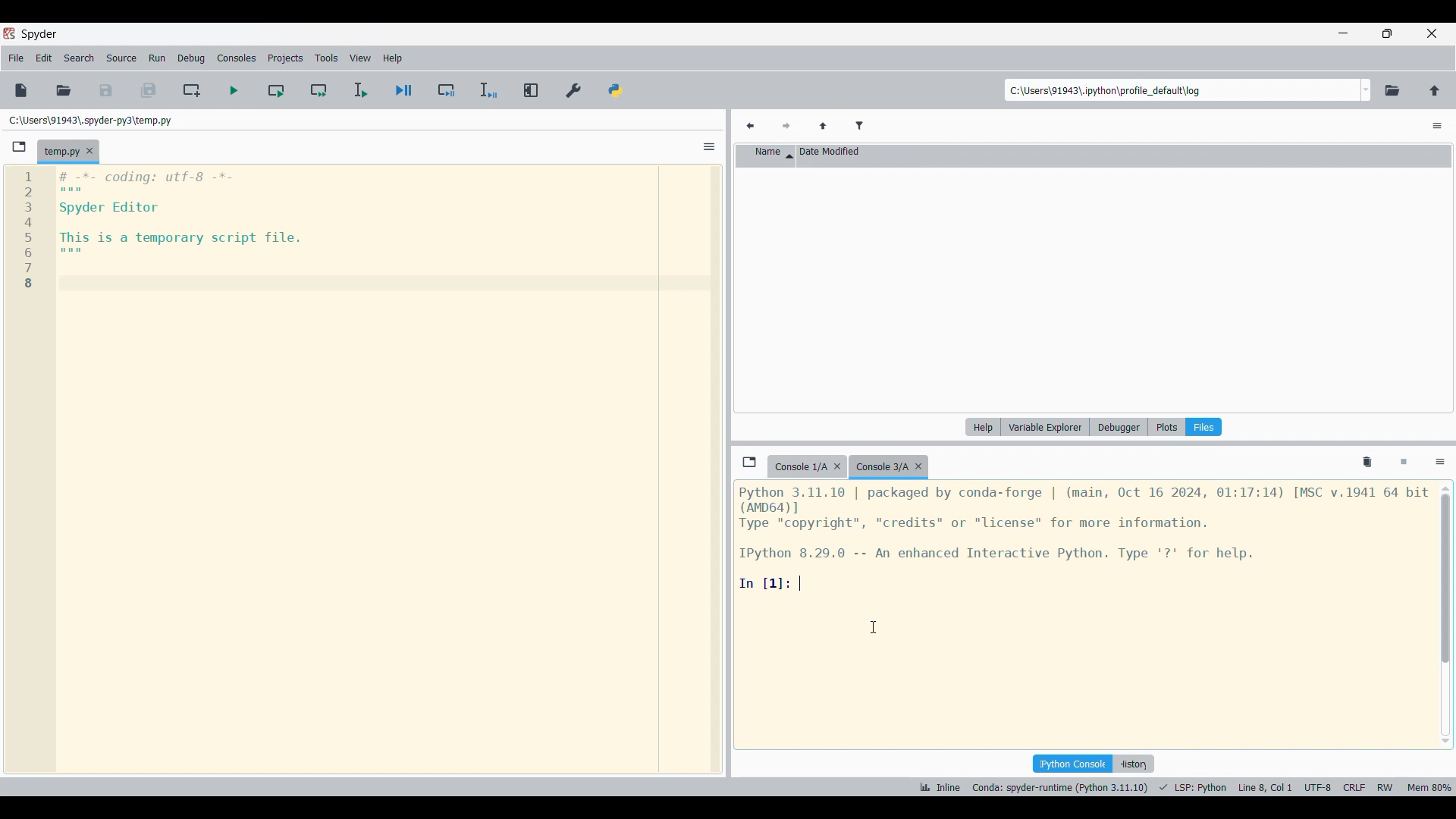 This screenshot has width=1456, height=819. What do you see at coordinates (190, 90) in the screenshot?
I see `Create new cell at current line` at bounding box center [190, 90].